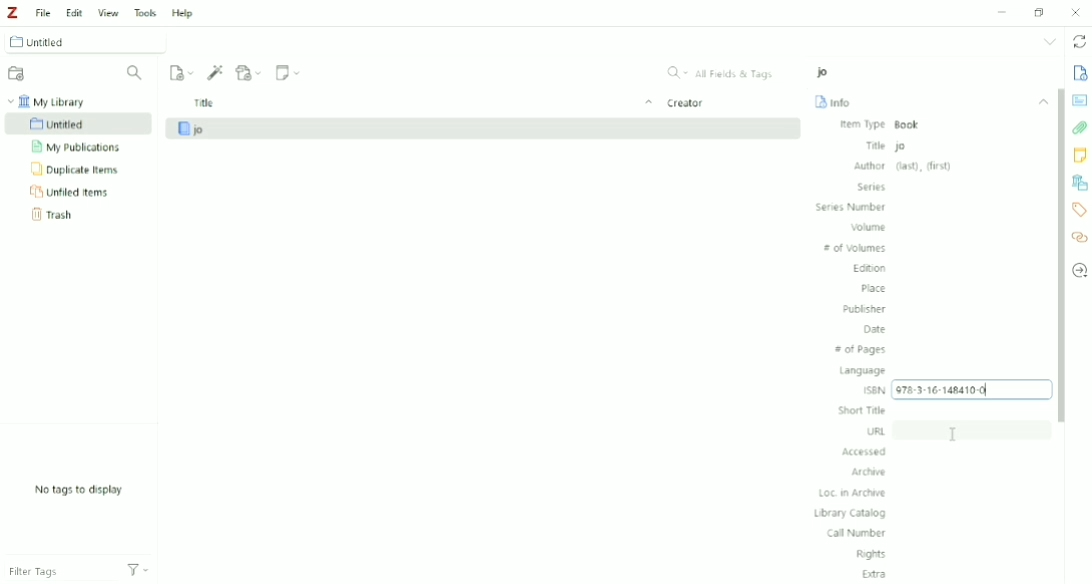 This screenshot has height=584, width=1092. What do you see at coordinates (289, 71) in the screenshot?
I see `New Note` at bounding box center [289, 71].